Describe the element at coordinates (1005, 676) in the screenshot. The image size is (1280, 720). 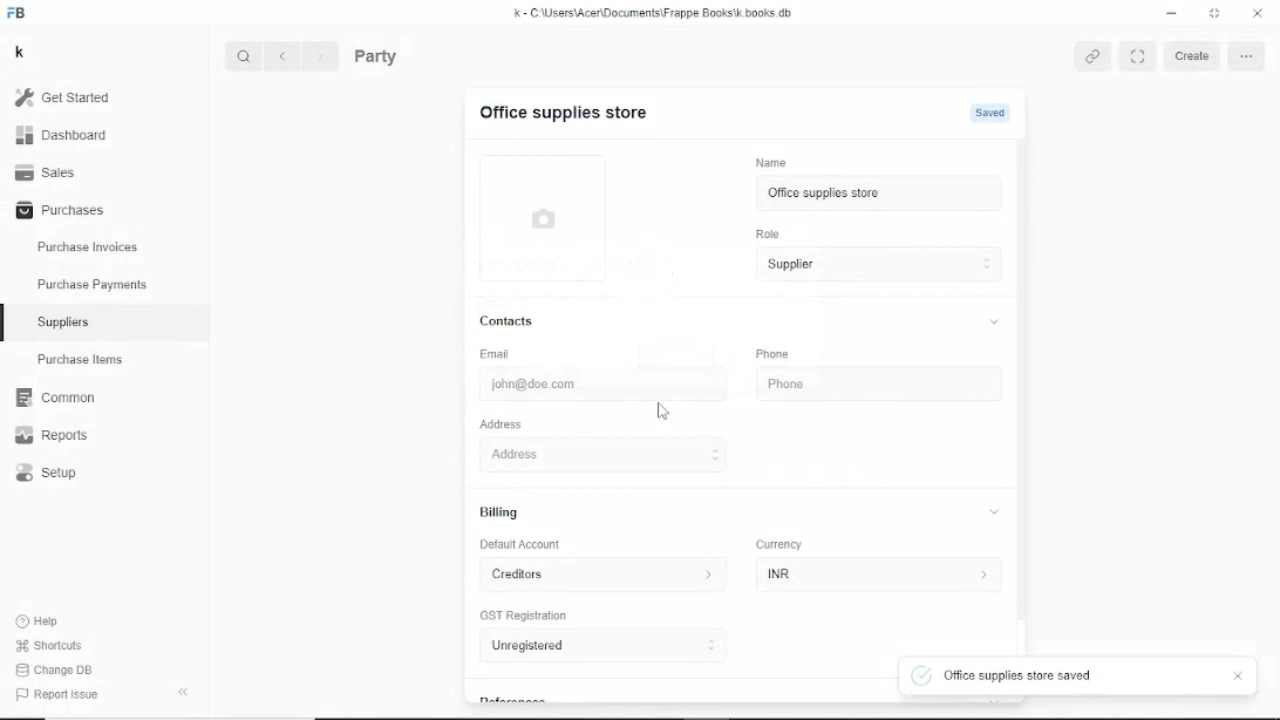
I see `Office supplies store saved` at that location.